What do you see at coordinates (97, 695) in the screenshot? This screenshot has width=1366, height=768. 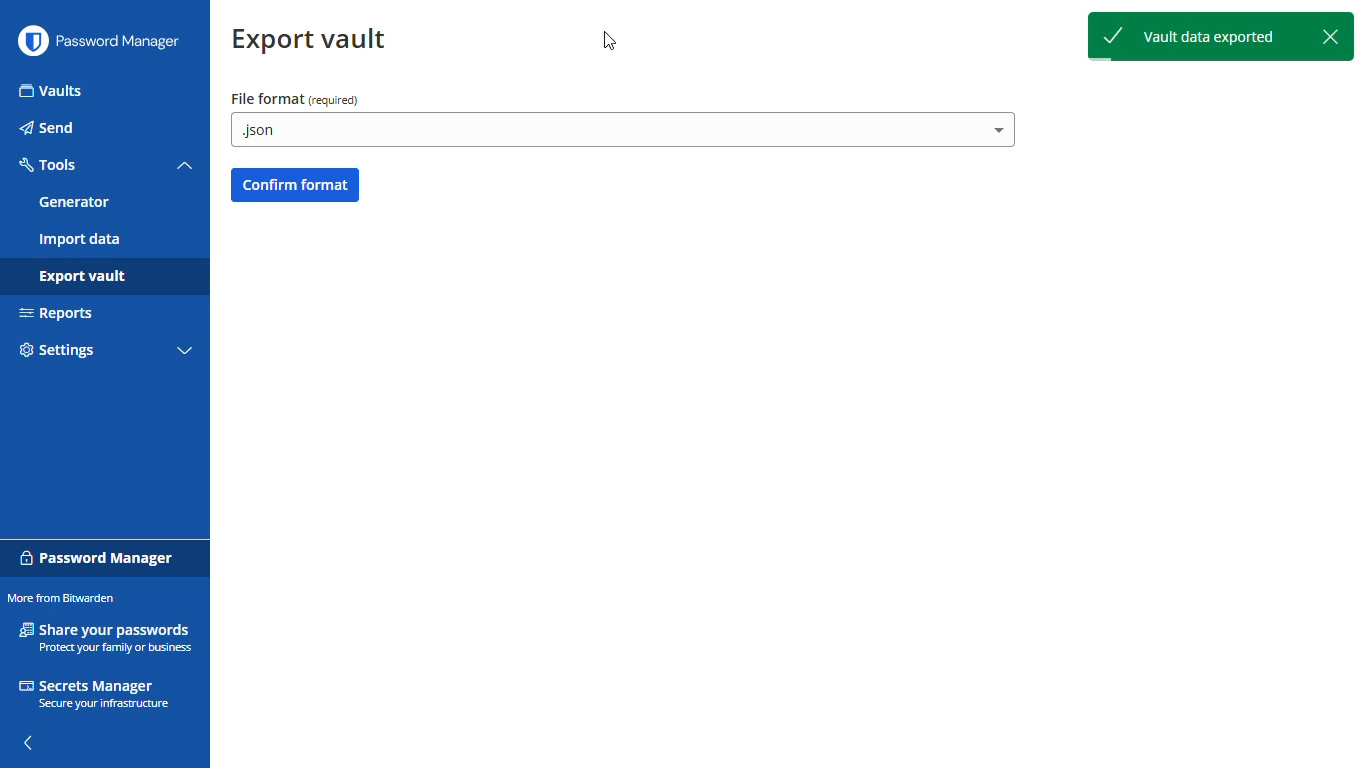 I see `secrets manager` at bounding box center [97, 695].